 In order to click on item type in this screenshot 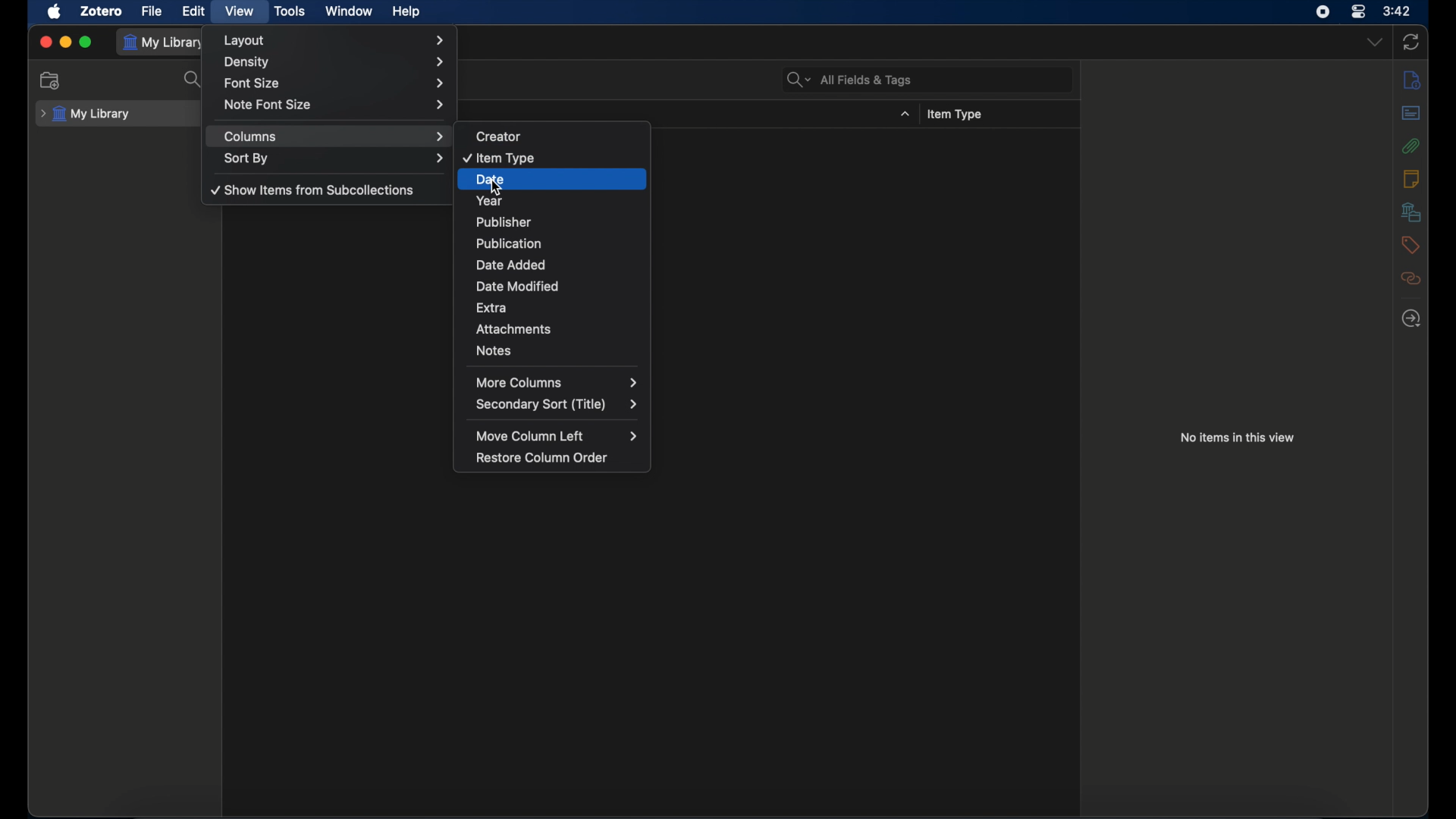, I will do `click(543, 158)`.